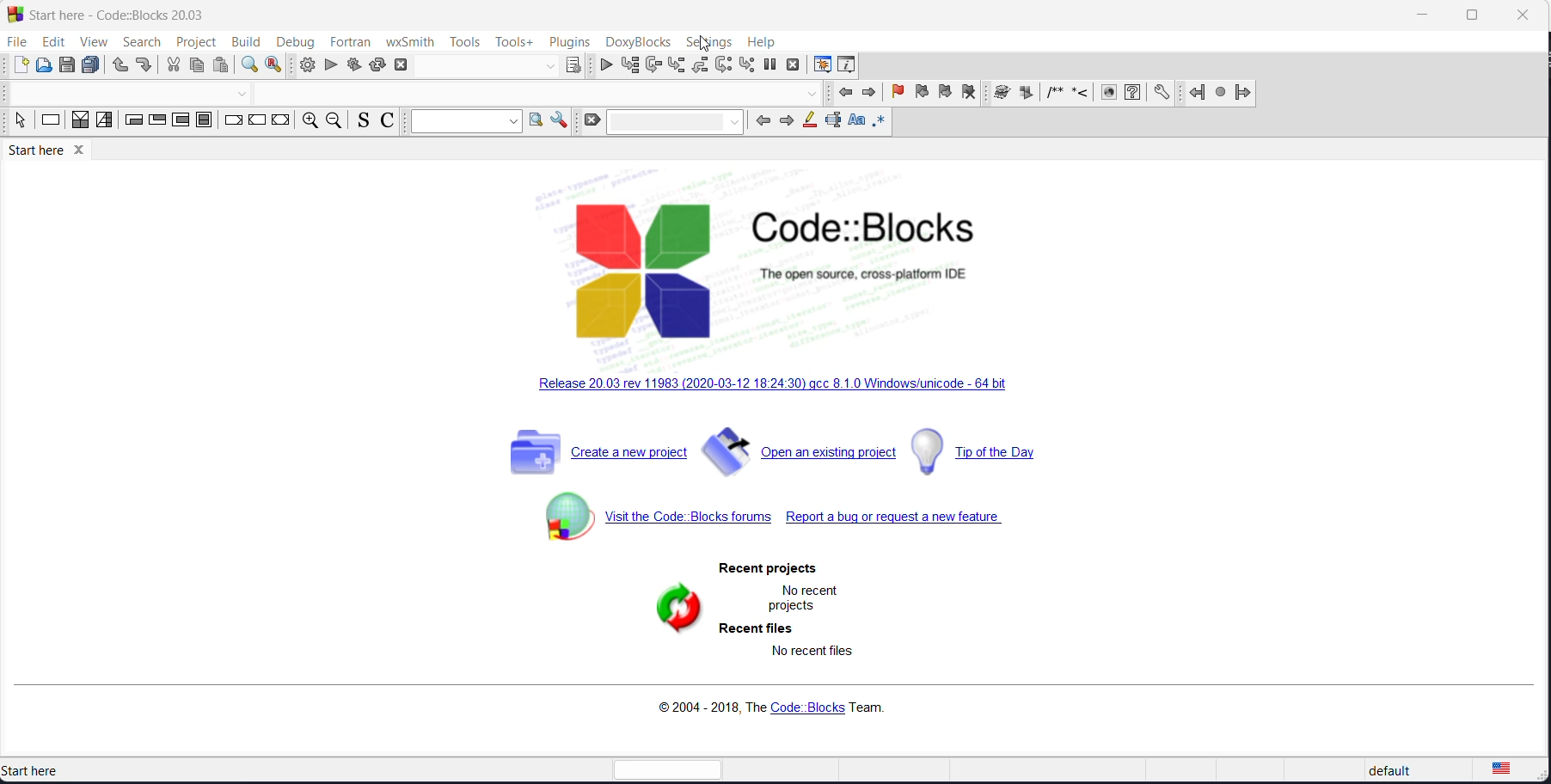 The width and height of the screenshot is (1551, 784). Describe the element at coordinates (512, 43) in the screenshot. I see `tools+` at that location.